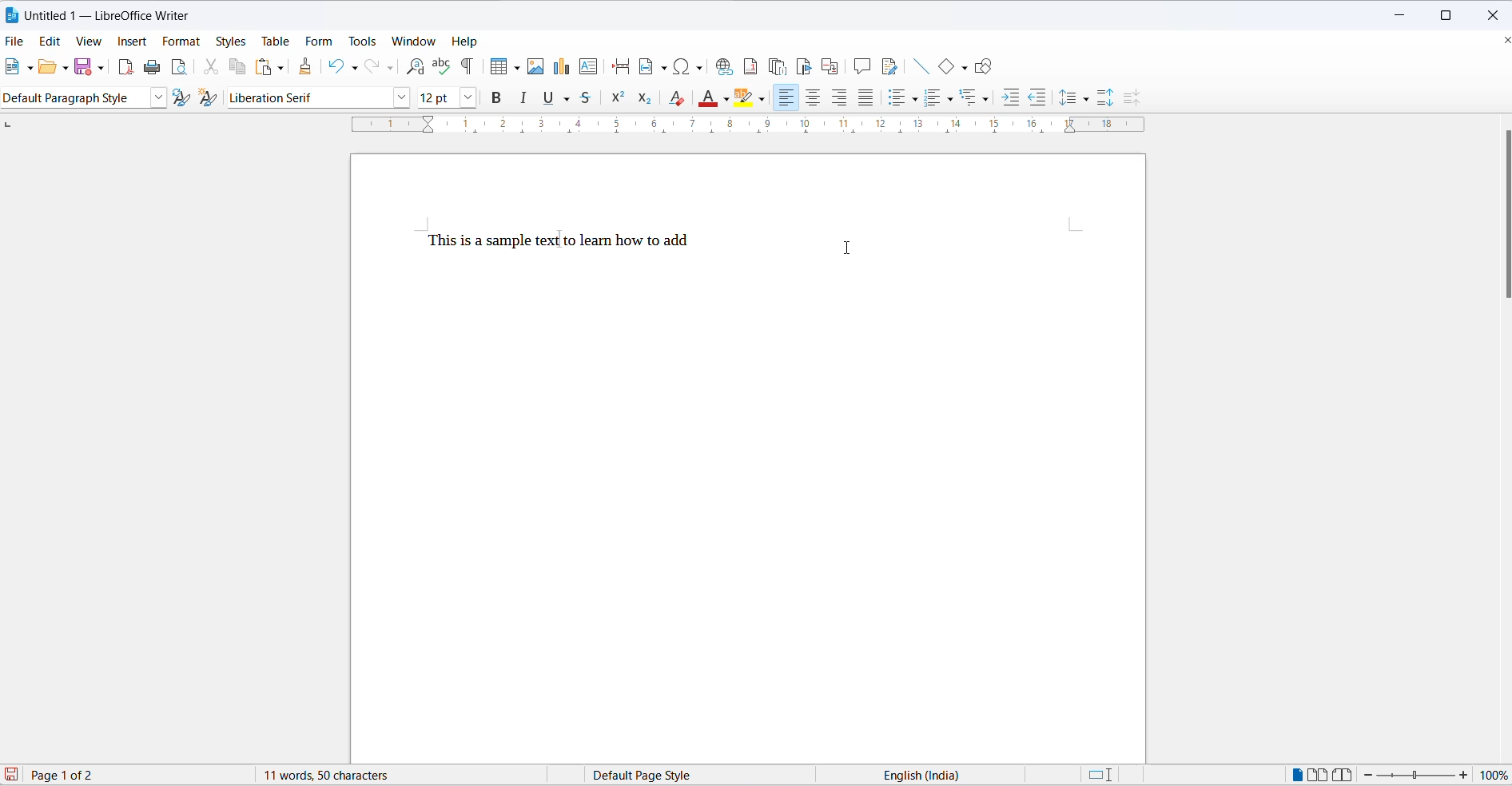 The width and height of the screenshot is (1512, 786). Describe the element at coordinates (1367, 775) in the screenshot. I see `decrease zoom` at that location.